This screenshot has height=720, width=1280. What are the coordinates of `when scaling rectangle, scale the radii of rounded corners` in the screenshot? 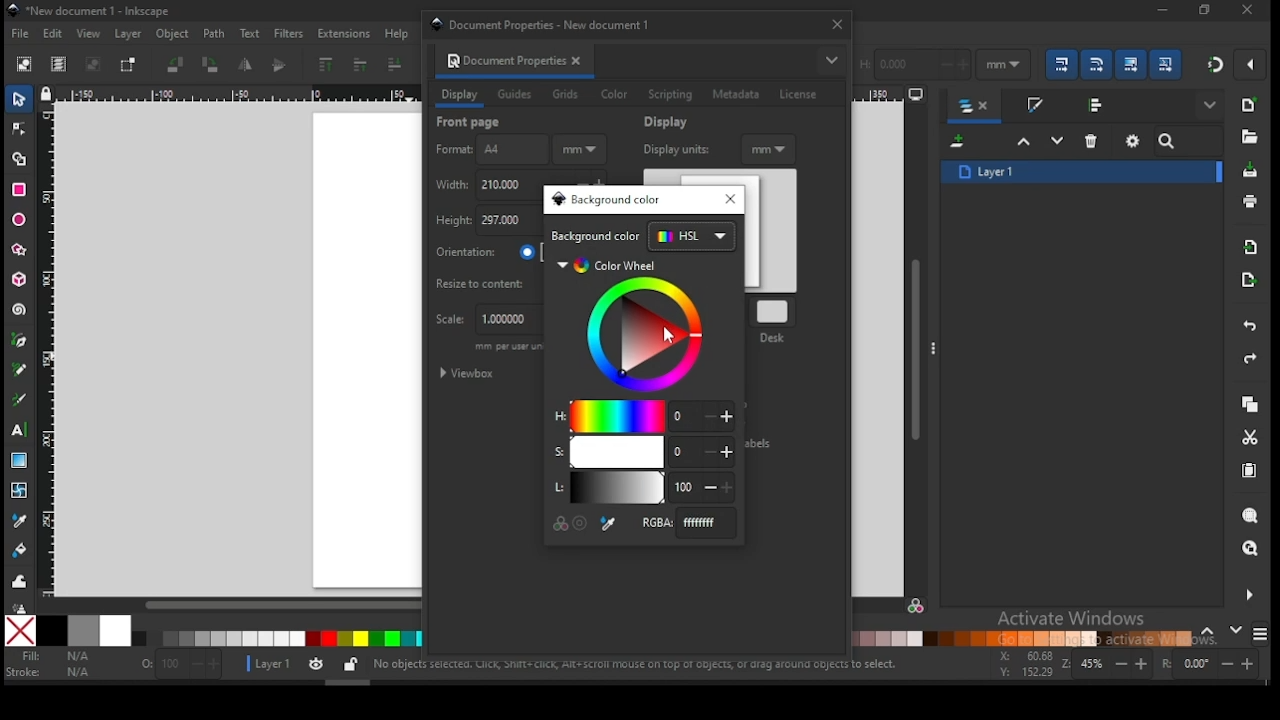 It's located at (1095, 64).